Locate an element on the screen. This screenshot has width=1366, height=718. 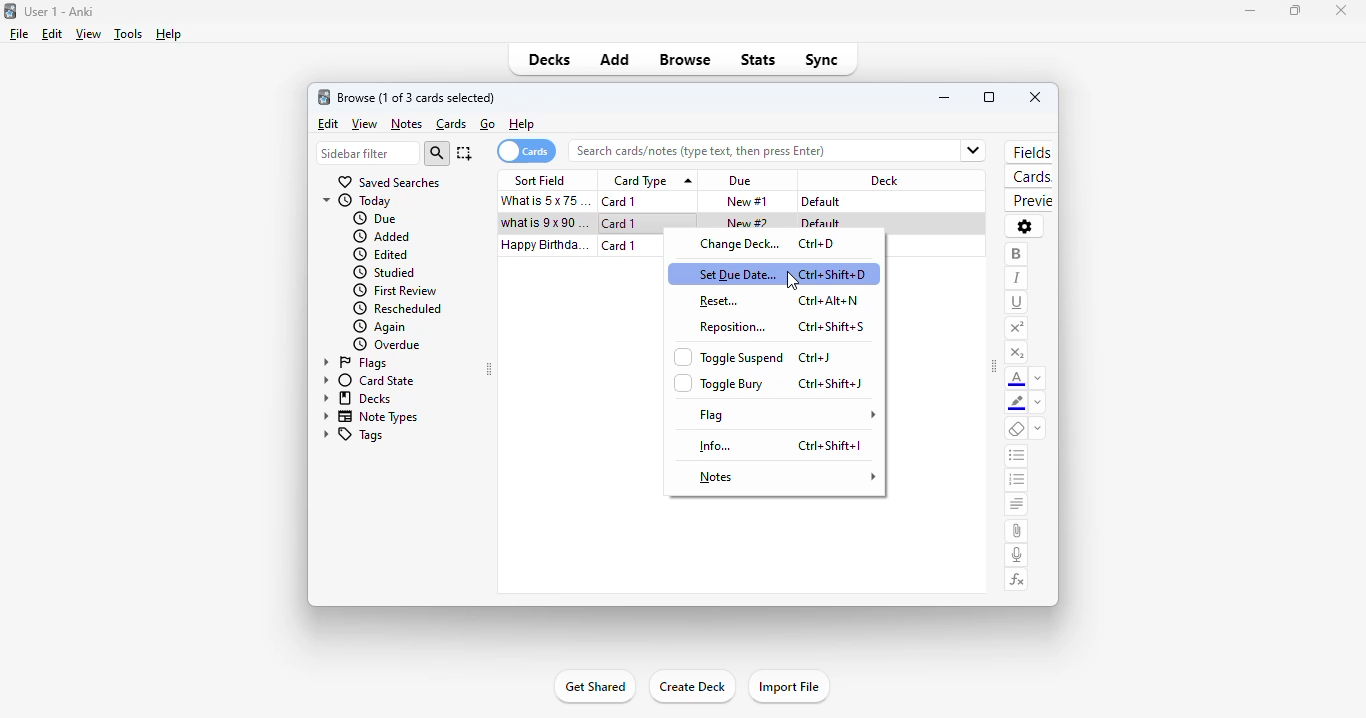
subscript is located at coordinates (1018, 355).